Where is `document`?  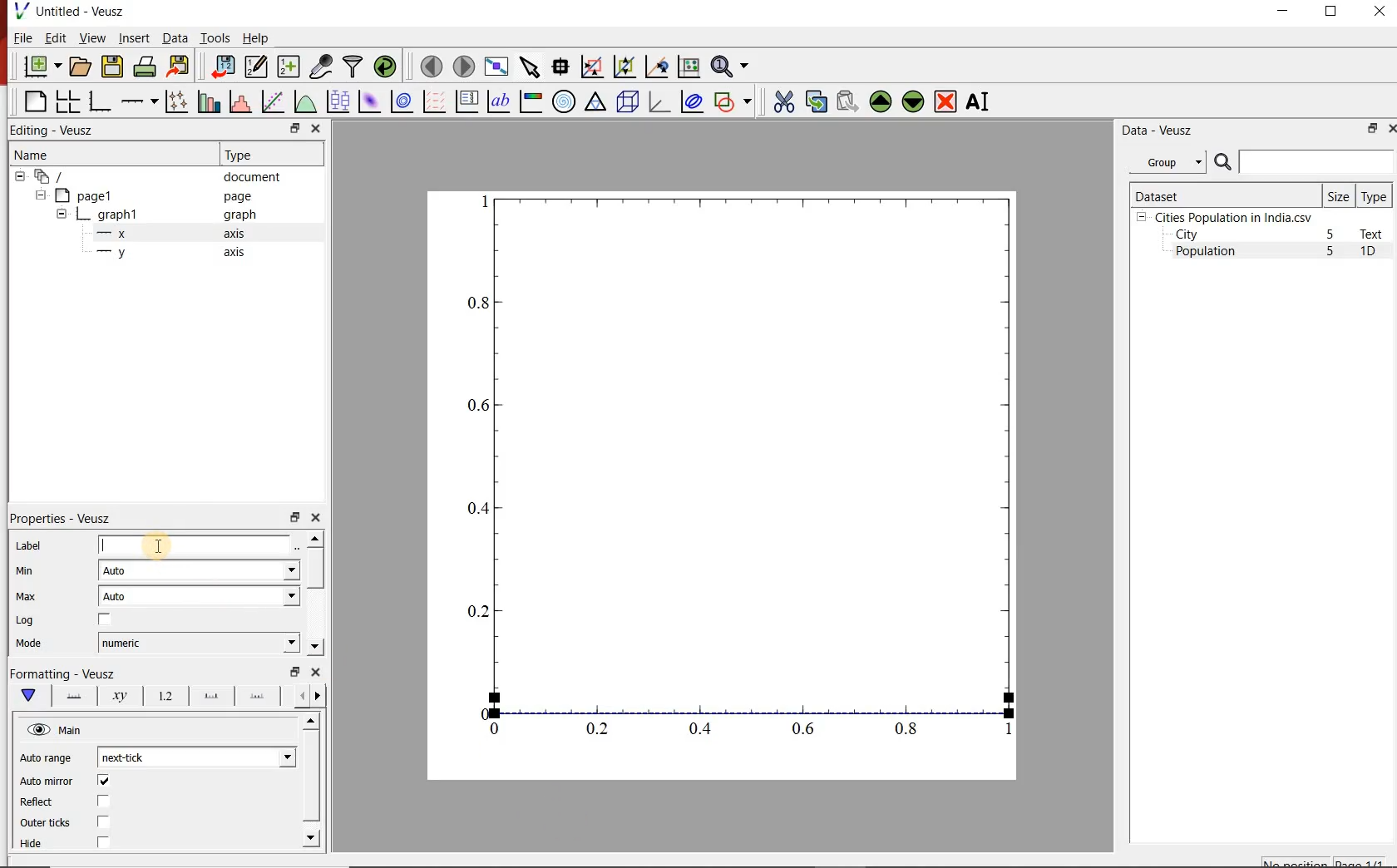
document is located at coordinates (153, 175).